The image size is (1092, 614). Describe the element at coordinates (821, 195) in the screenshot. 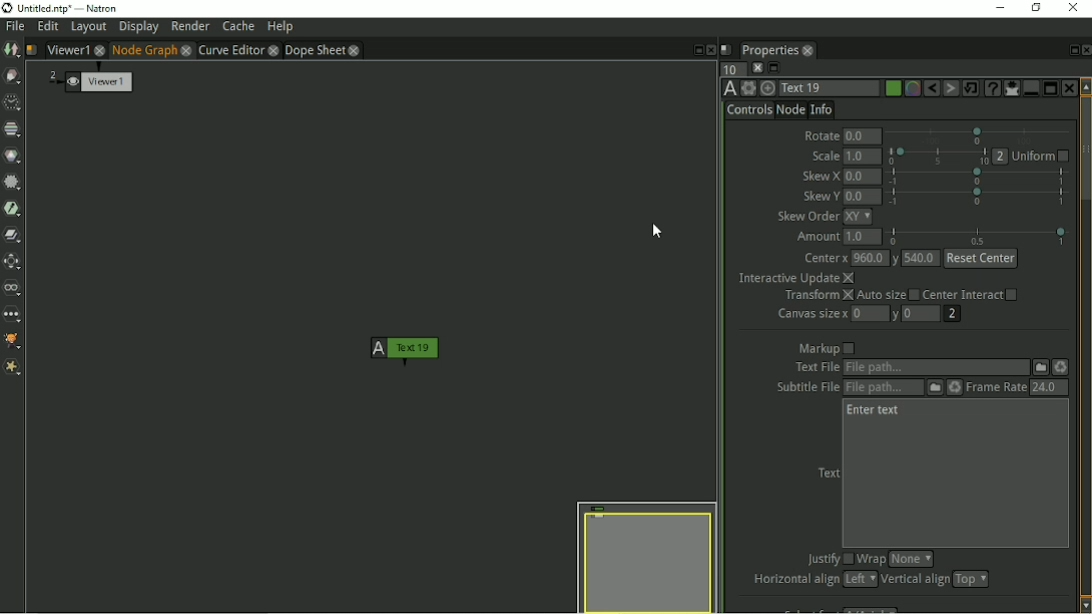

I see `Skew Y` at that location.